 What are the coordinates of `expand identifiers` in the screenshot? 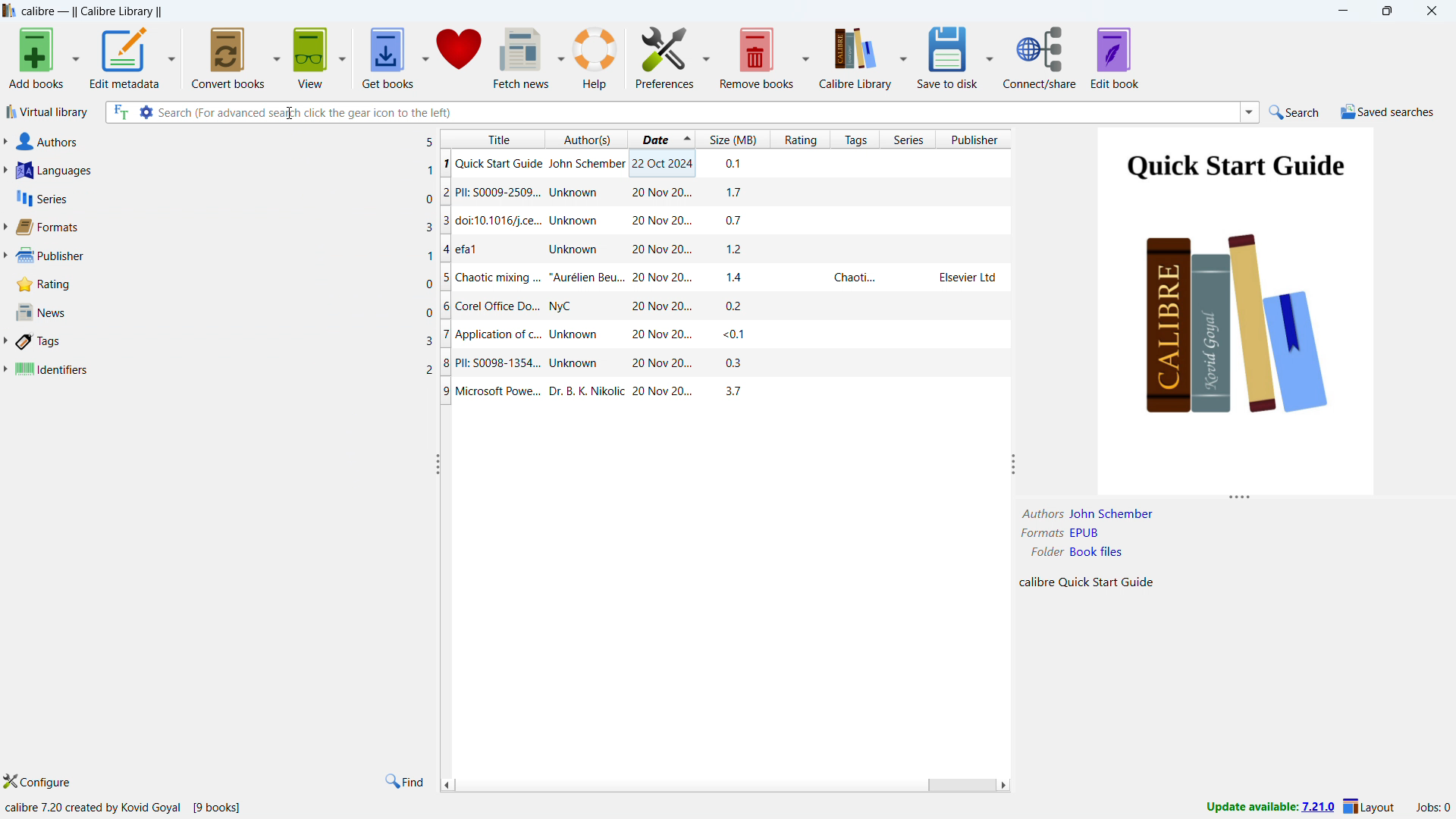 It's located at (5, 369).